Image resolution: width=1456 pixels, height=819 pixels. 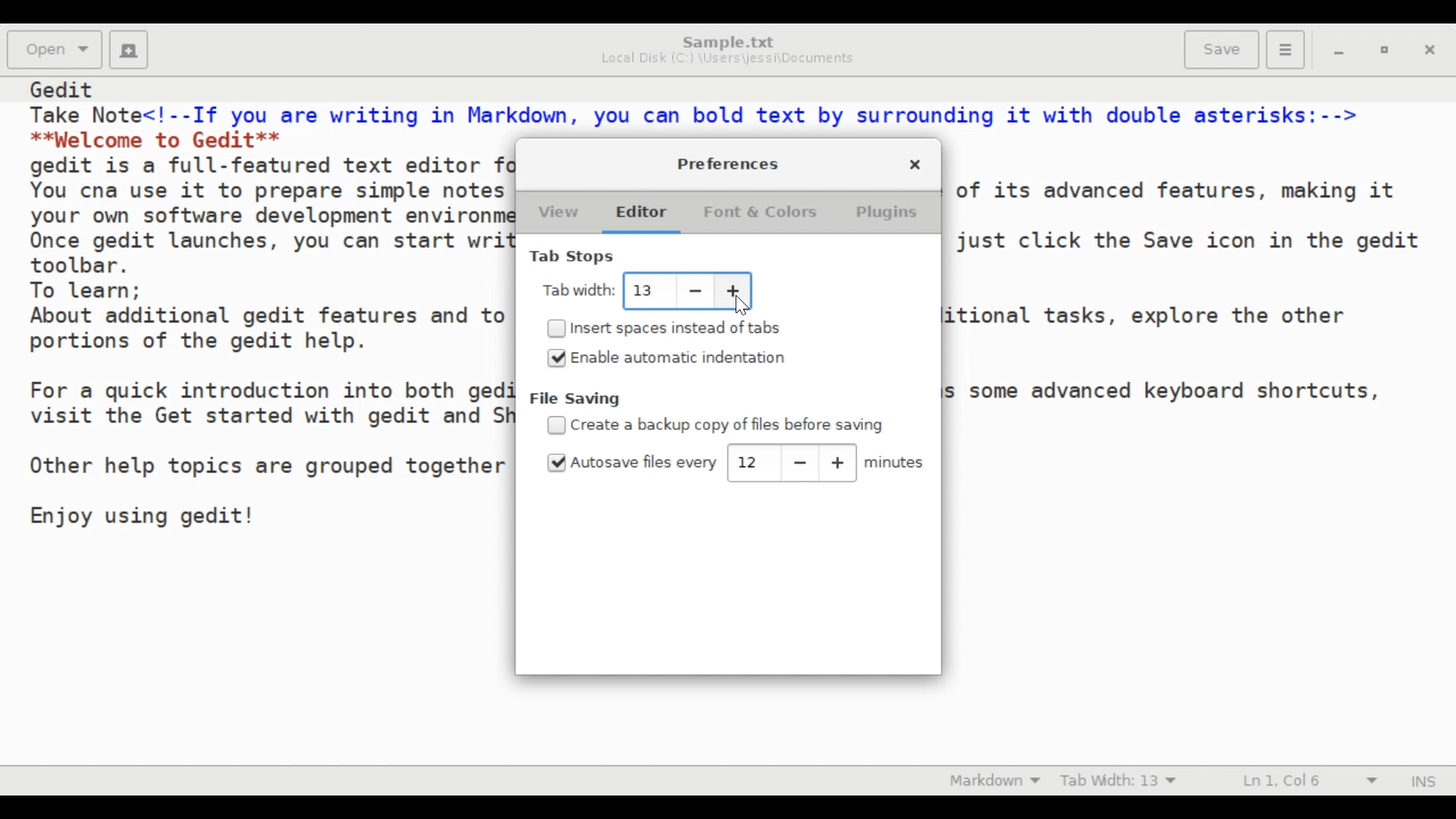 I want to click on Close, so click(x=914, y=165).